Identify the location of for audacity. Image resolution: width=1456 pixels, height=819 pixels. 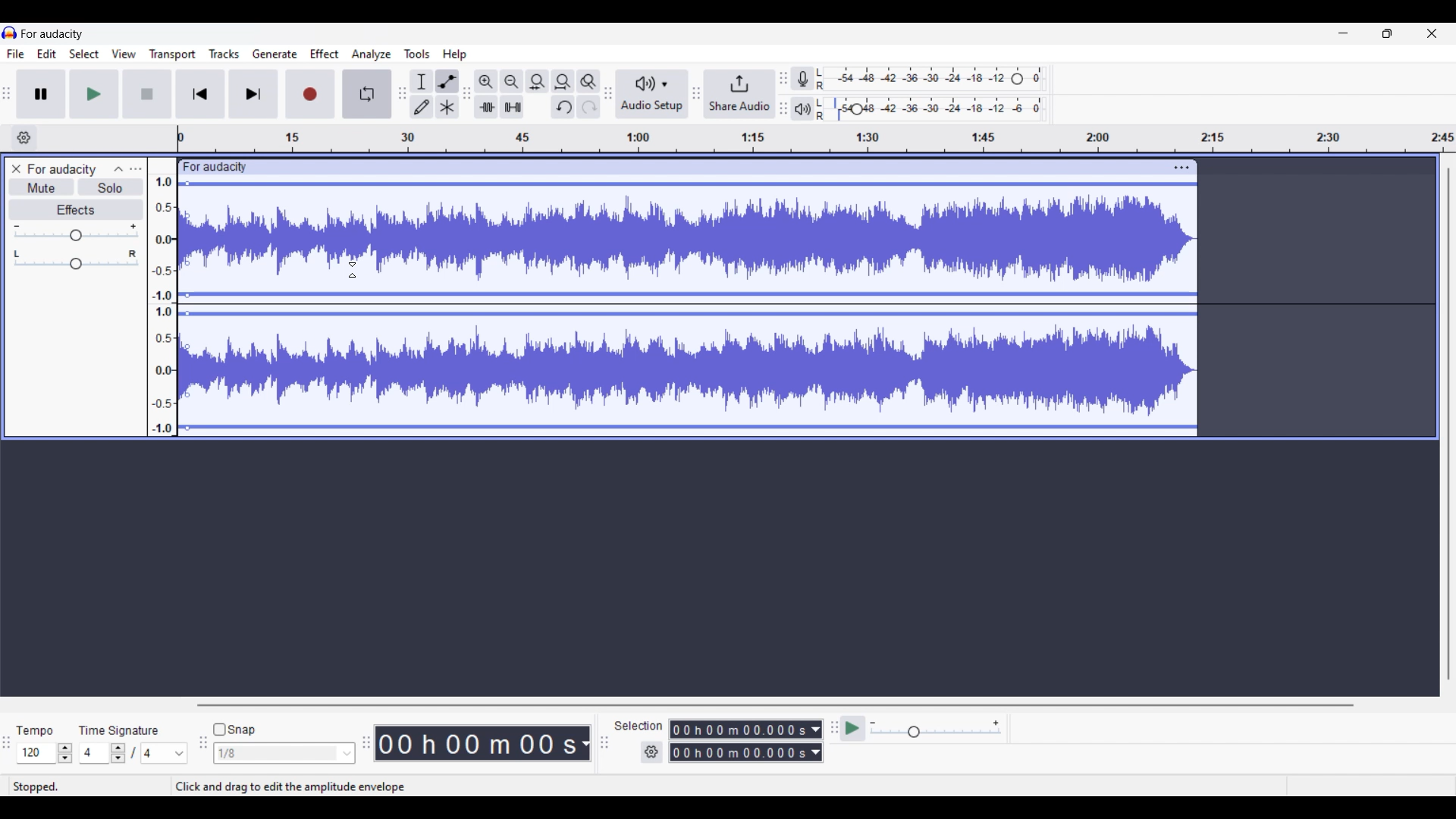
(62, 169).